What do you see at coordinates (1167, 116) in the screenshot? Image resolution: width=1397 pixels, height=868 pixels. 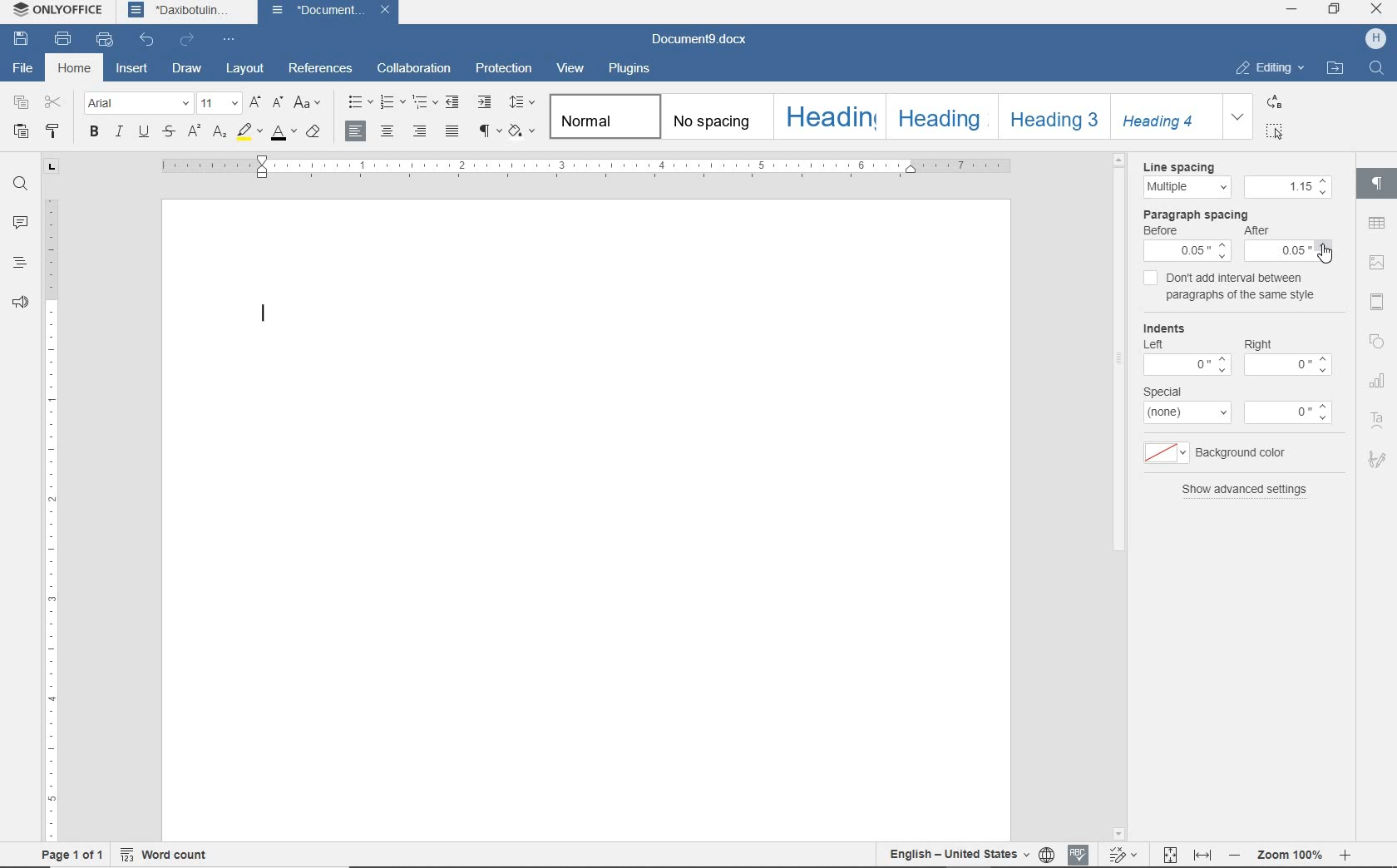 I see `Heading 4` at bounding box center [1167, 116].